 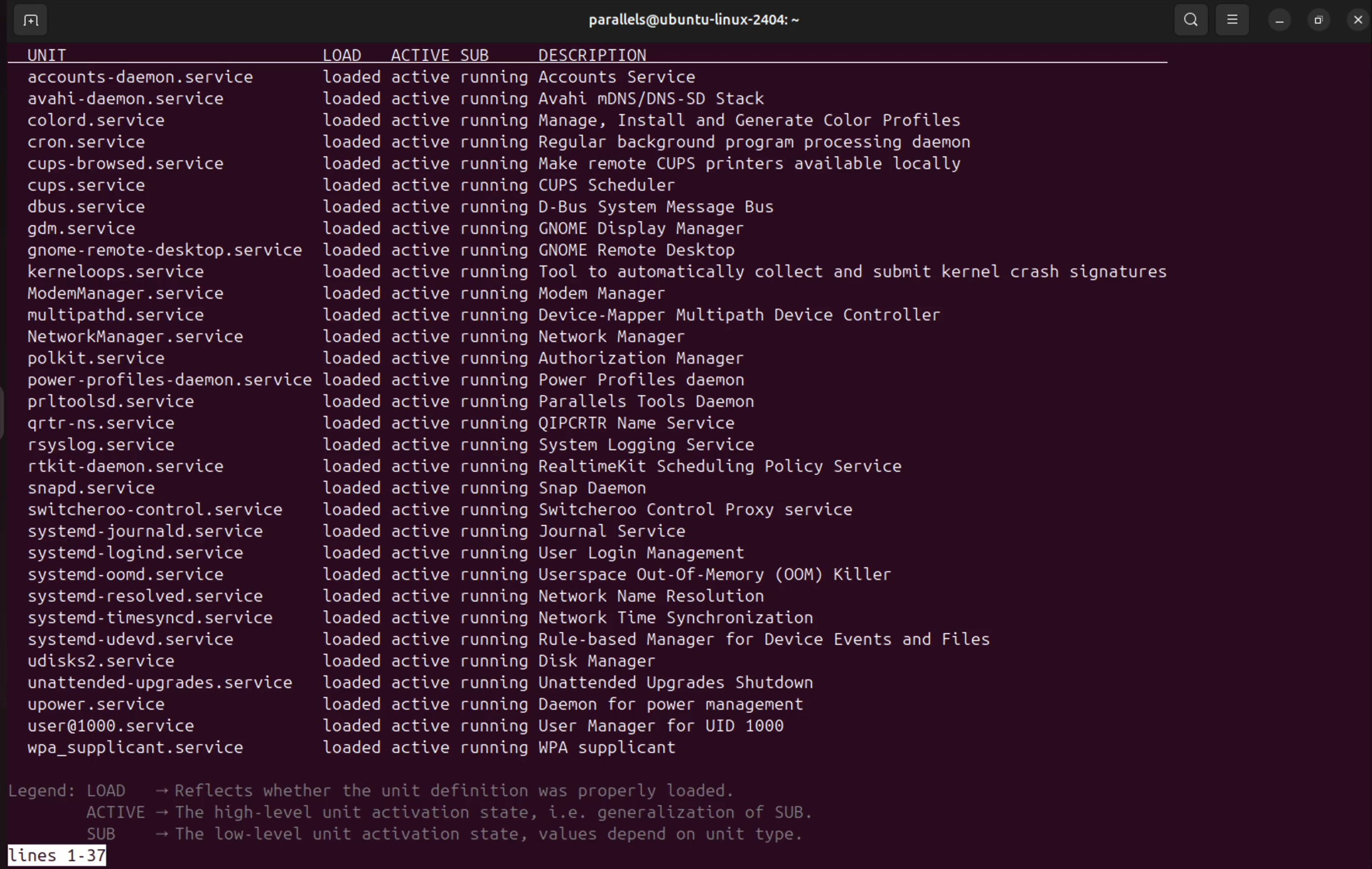 What do you see at coordinates (580, 557) in the screenshot?
I see `active running ` at bounding box center [580, 557].